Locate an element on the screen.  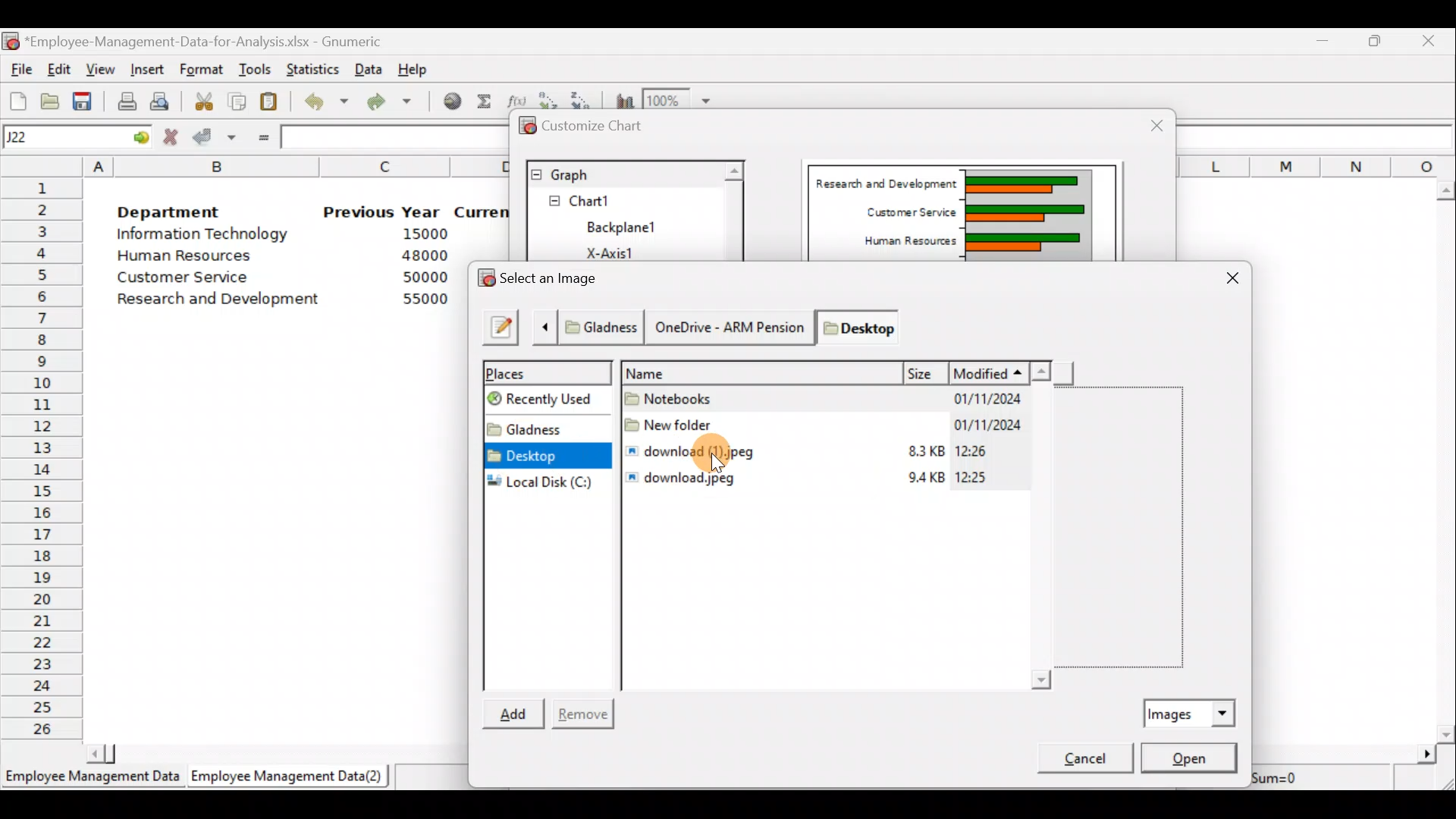
Local disk is located at coordinates (548, 482).